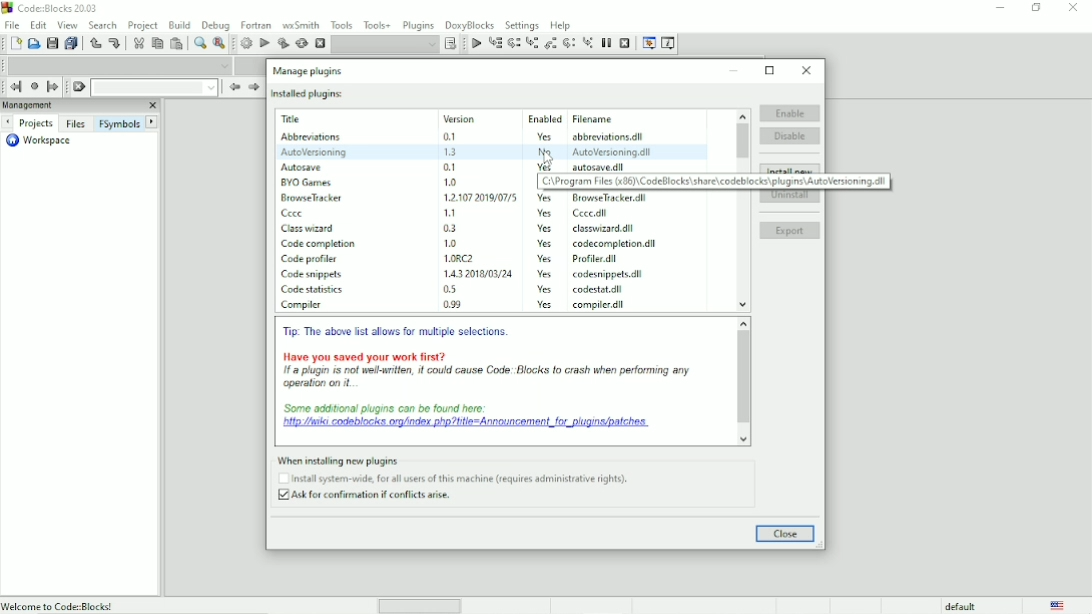 The width and height of the screenshot is (1092, 614). I want to click on file, so click(616, 167).